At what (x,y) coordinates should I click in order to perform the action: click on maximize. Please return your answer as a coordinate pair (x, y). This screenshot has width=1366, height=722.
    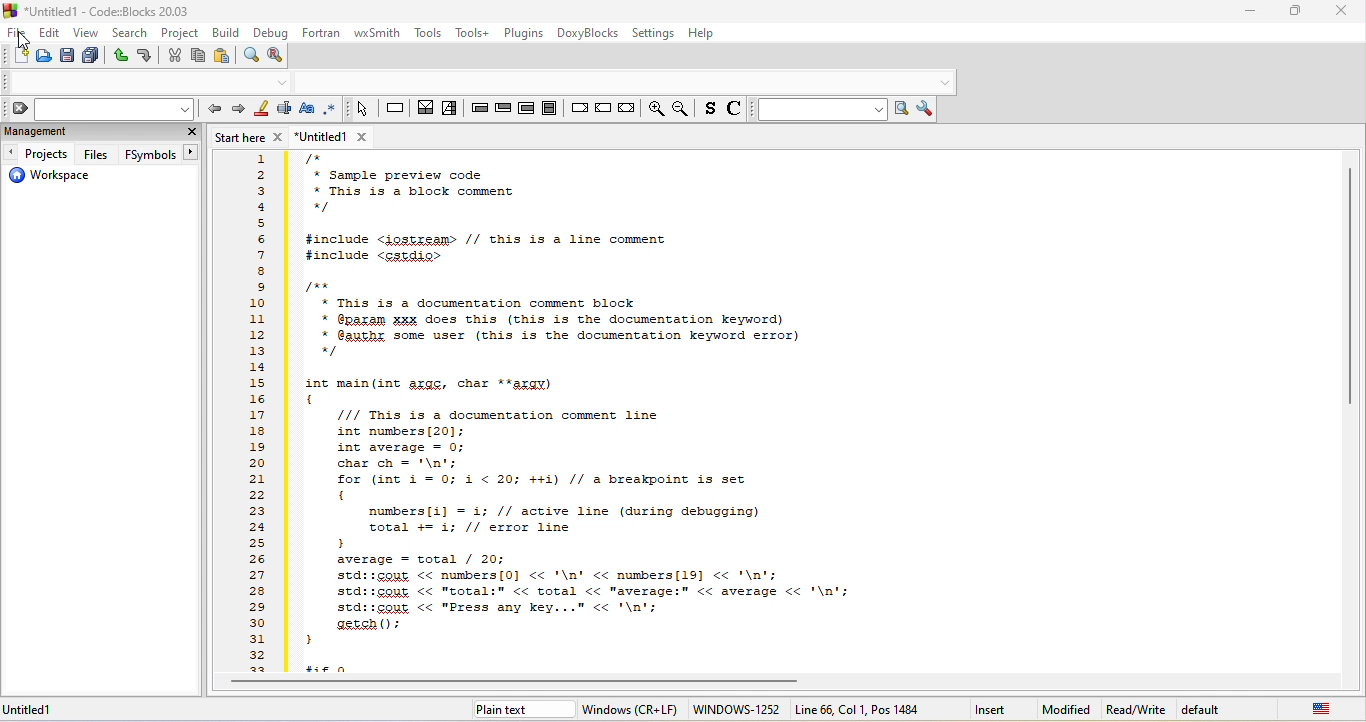
    Looking at the image, I should click on (1298, 9).